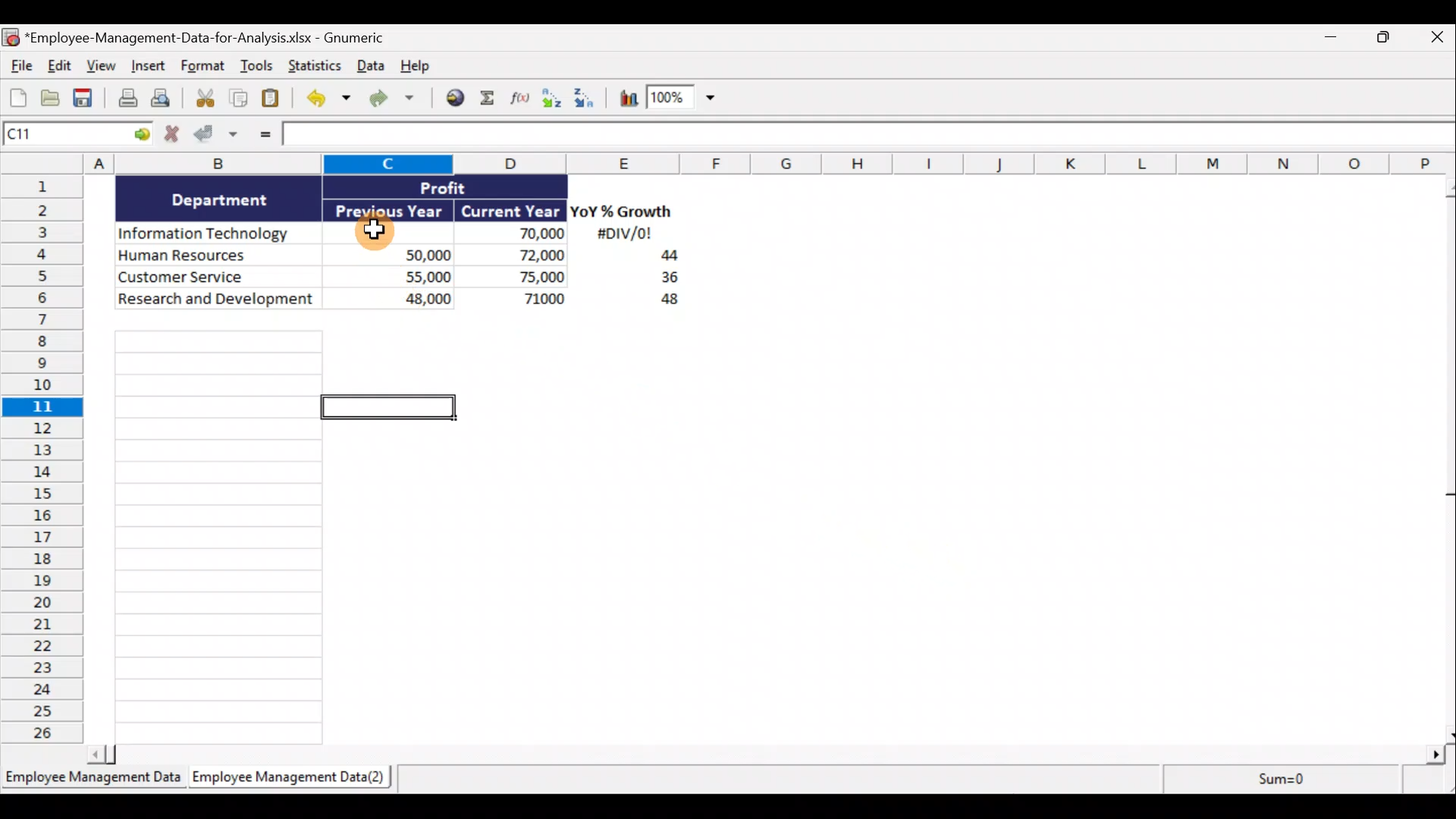 This screenshot has width=1456, height=819. Describe the element at coordinates (58, 67) in the screenshot. I see `Edit` at that location.